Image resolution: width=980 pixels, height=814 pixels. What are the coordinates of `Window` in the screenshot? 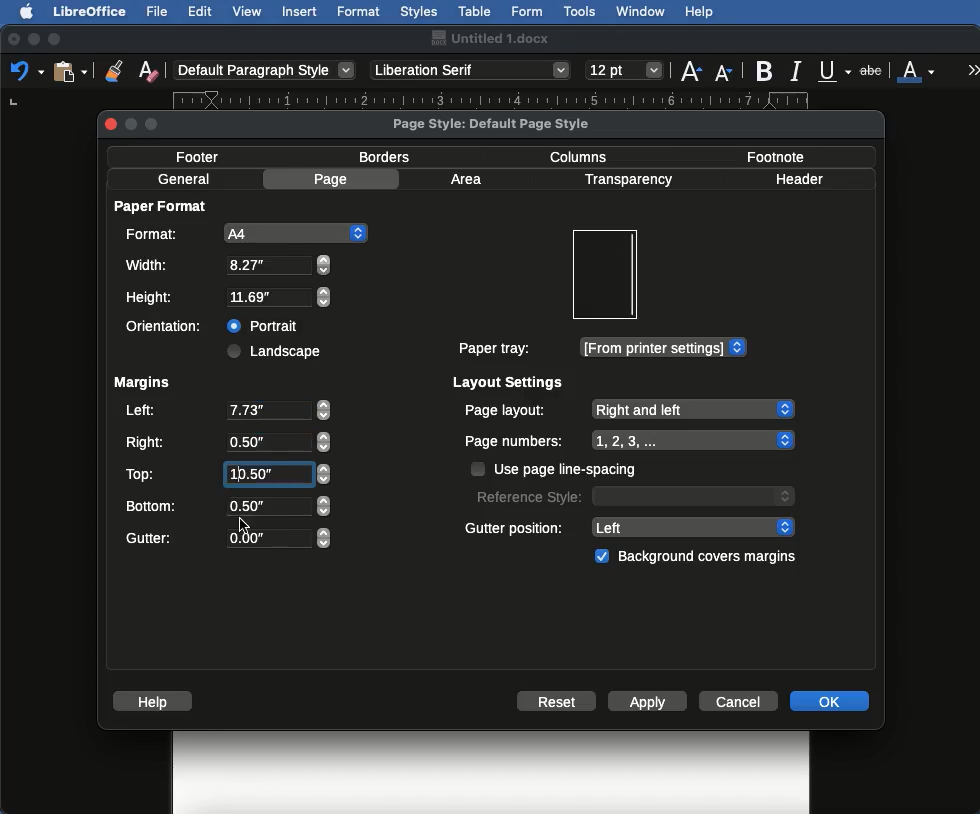 It's located at (641, 12).